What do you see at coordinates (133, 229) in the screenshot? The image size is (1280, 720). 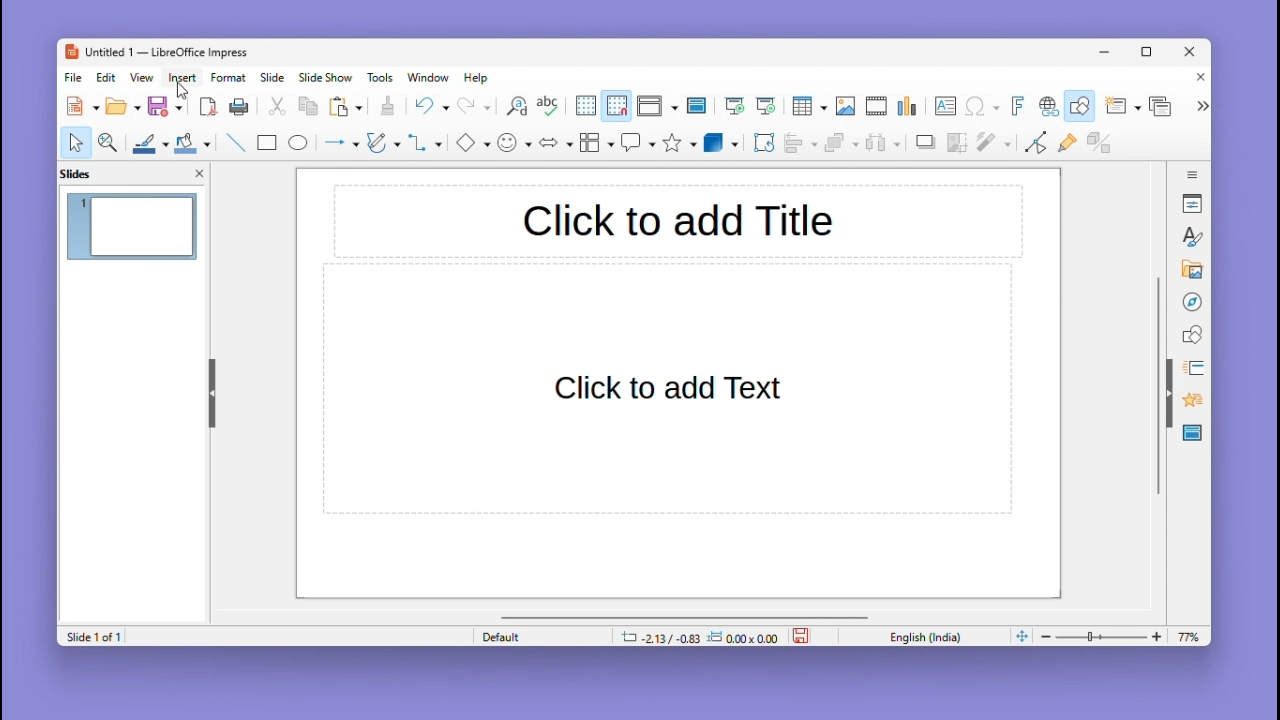 I see `current slide` at bounding box center [133, 229].